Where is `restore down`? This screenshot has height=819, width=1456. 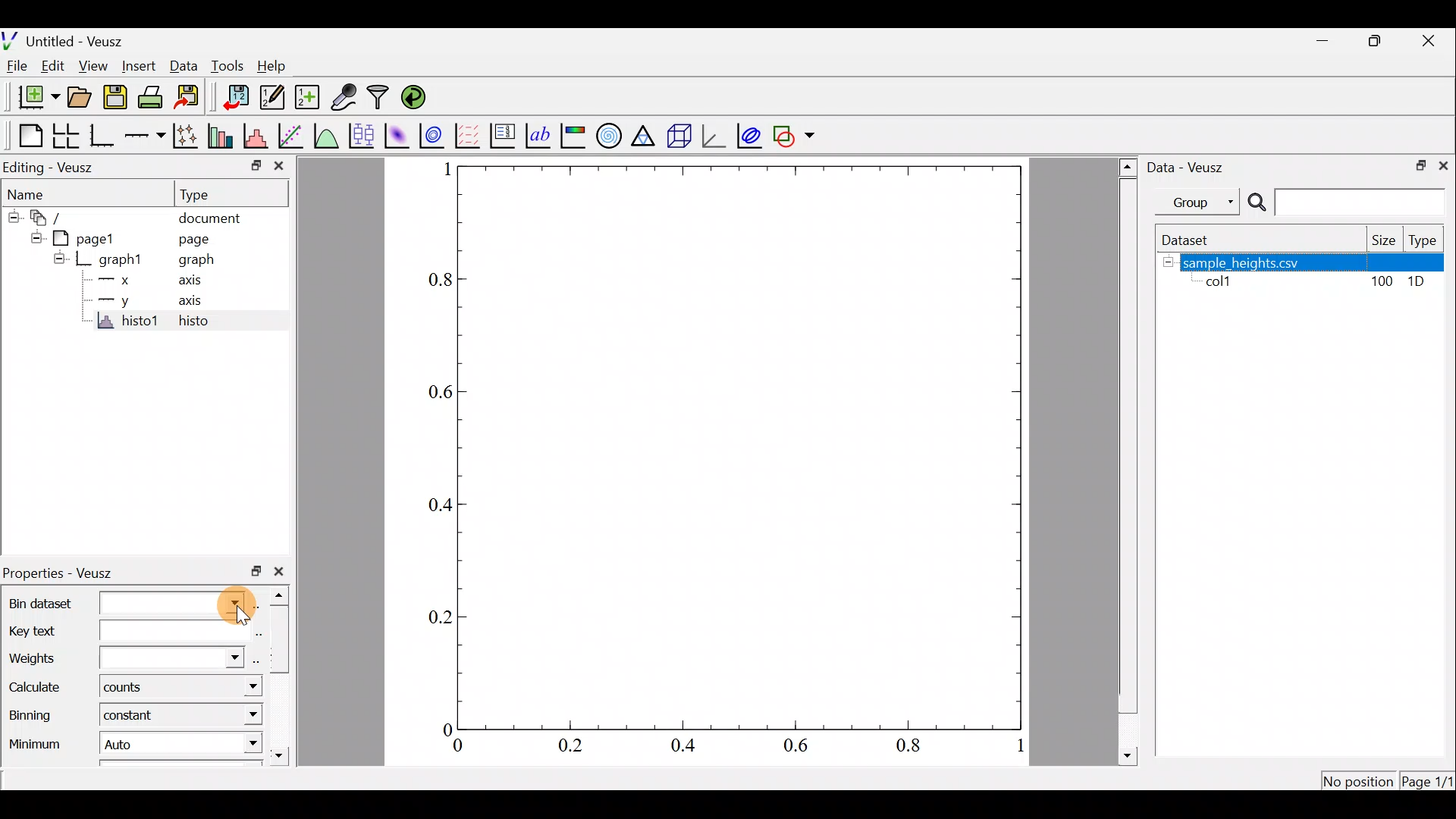 restore down is located at coordinates (251, 168).